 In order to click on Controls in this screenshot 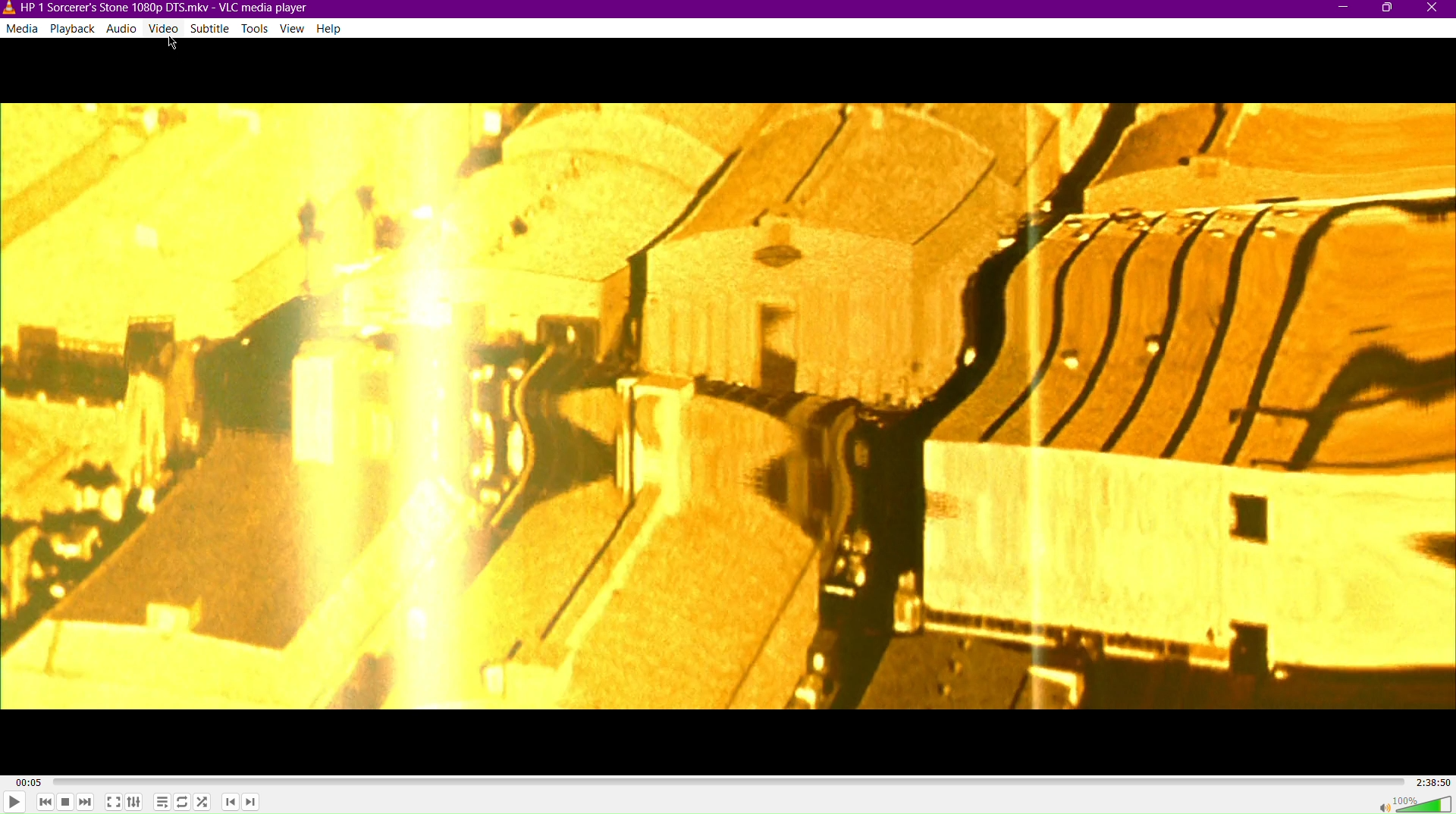, I will do `click(135, 804)`.